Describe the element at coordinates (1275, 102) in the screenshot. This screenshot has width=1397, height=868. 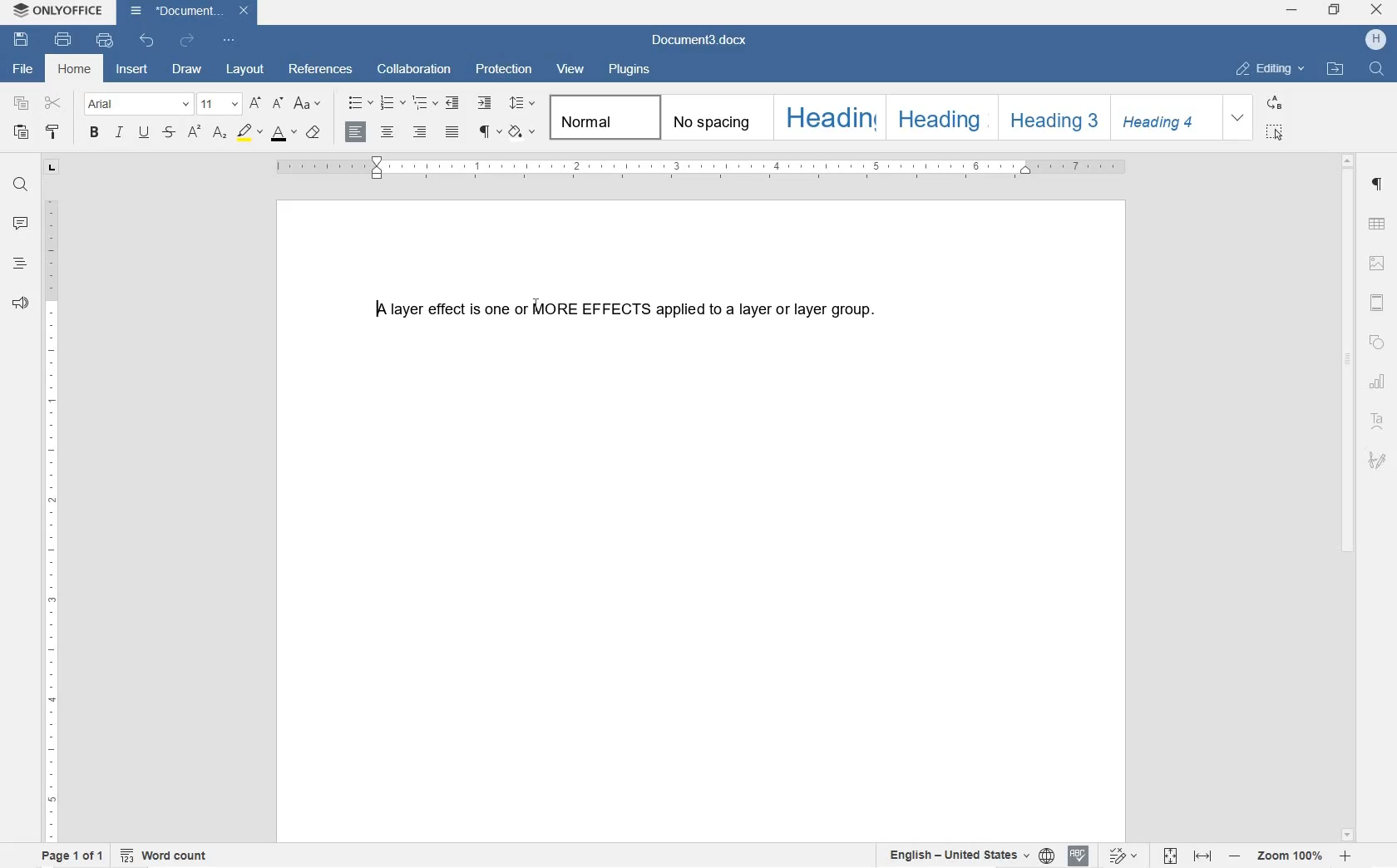
I see `REPLACE` at that location.